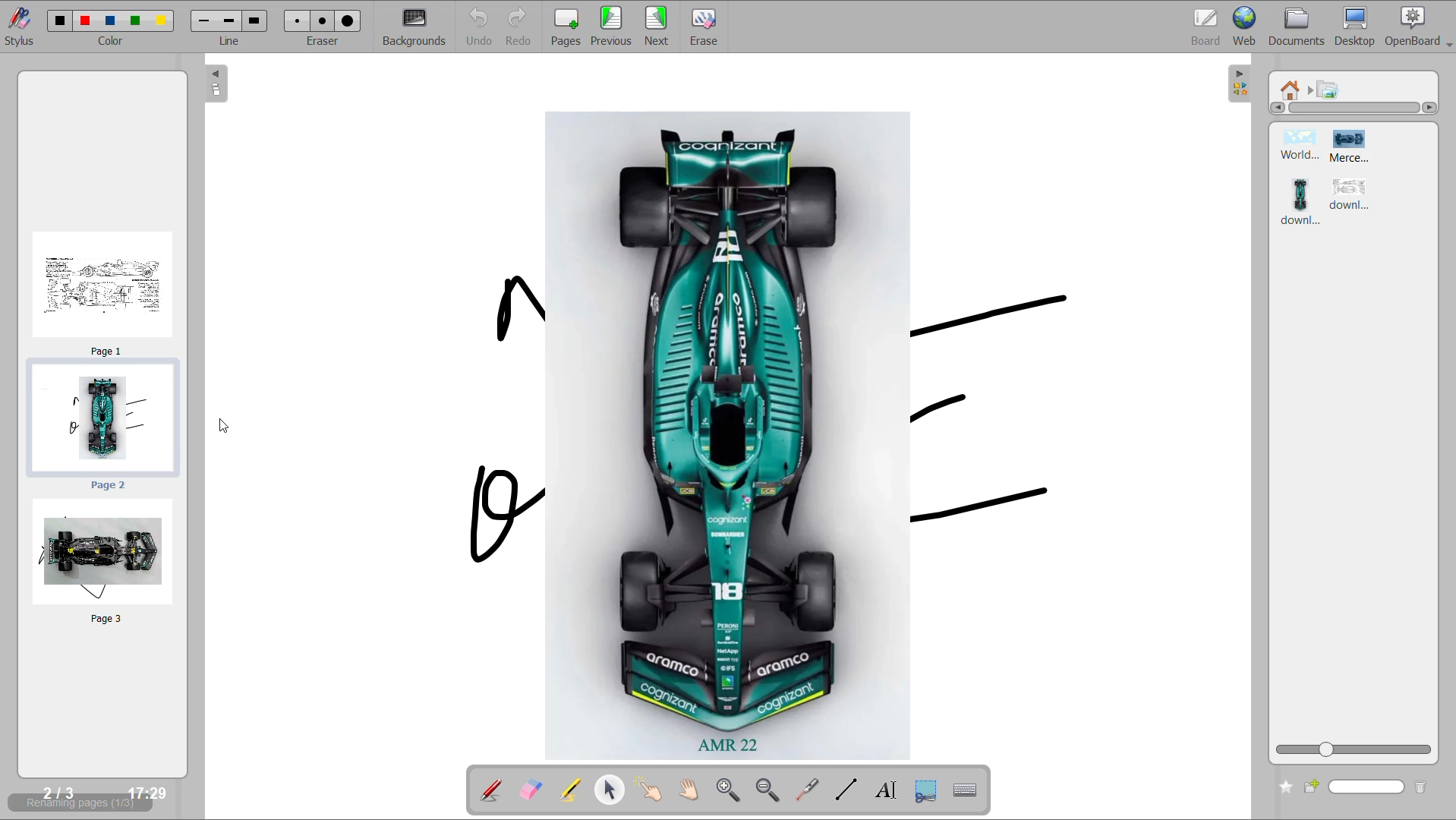 This screenshot has width=1456, height=820. What do you see at coordinates (484, 790) in the screenshot?
I see `annotate document` at bounding box center [484, 790].